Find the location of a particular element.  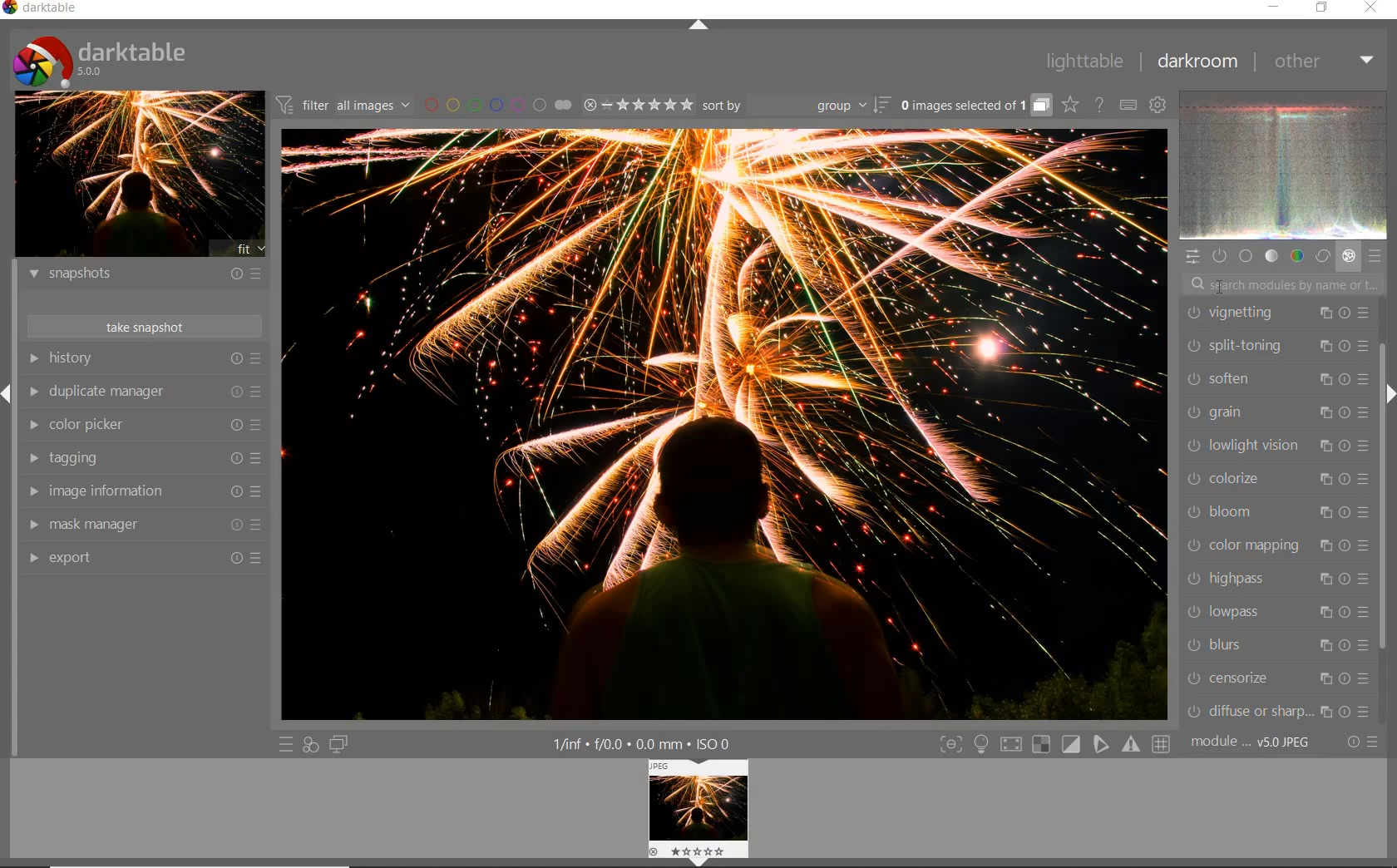

split-toning is located at coordinates (1276, 346).